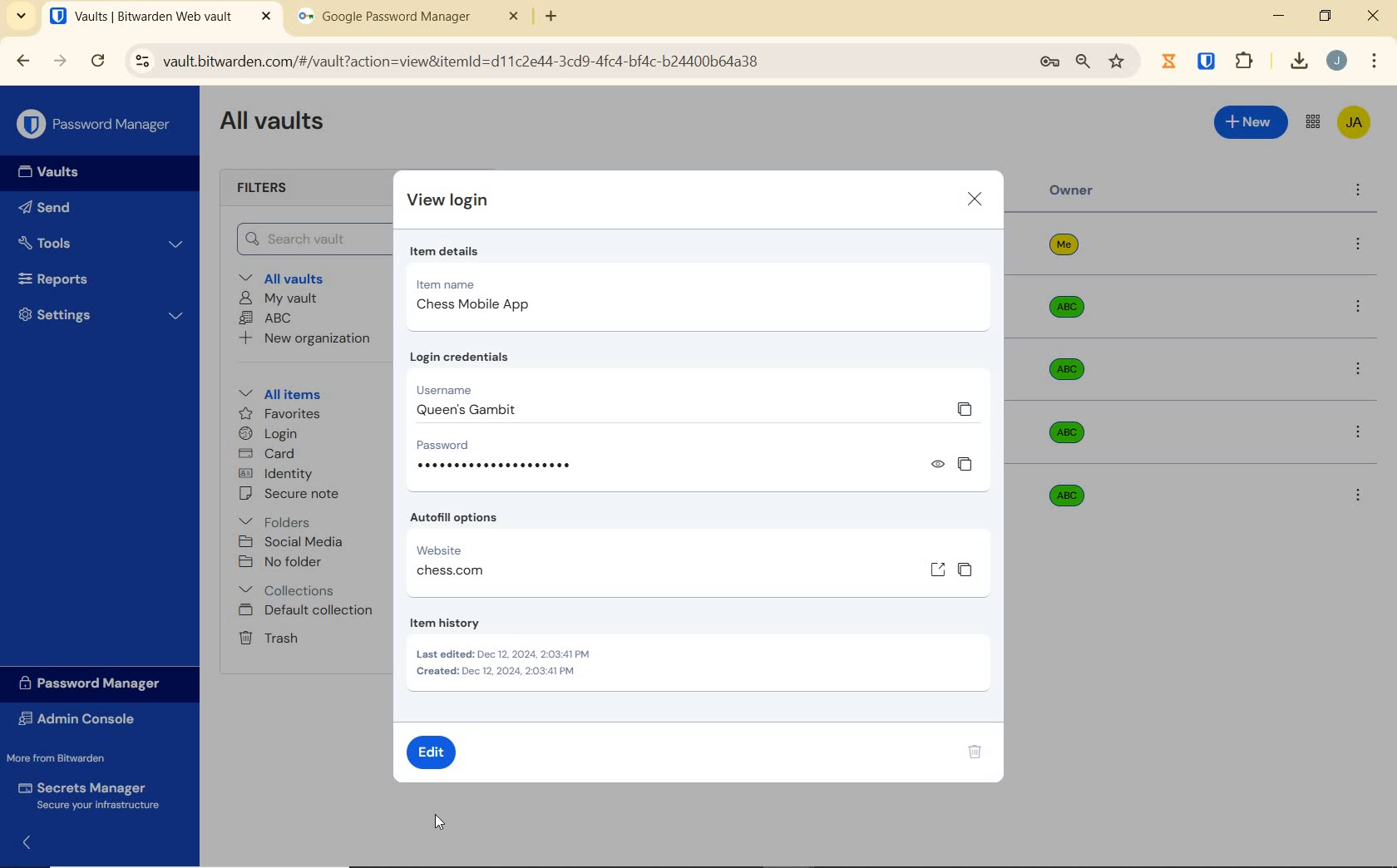 This screenshot has width=1397, height=868. I want to click on edit, so click(434, 754).